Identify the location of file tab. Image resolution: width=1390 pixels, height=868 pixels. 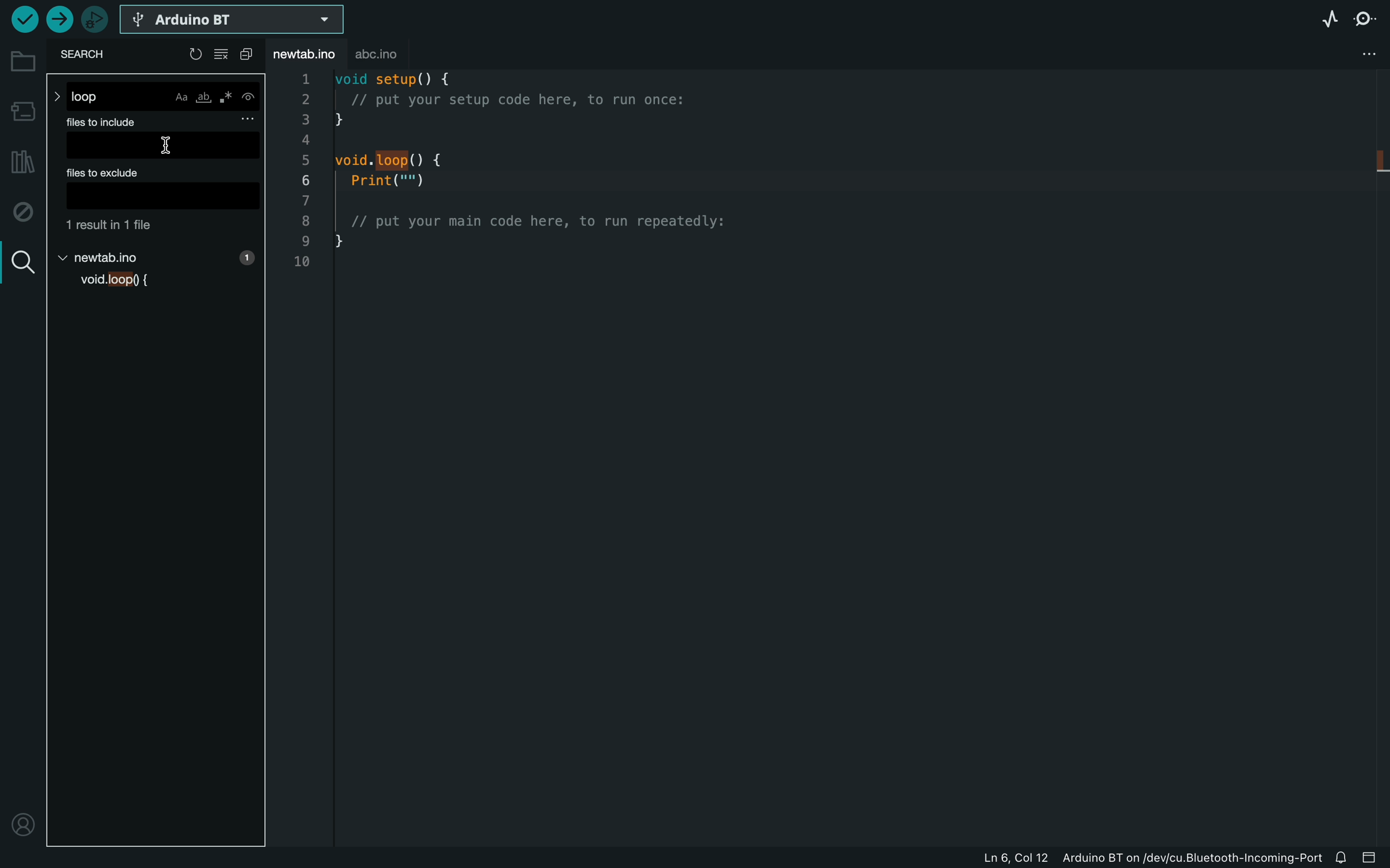
(308, 56).